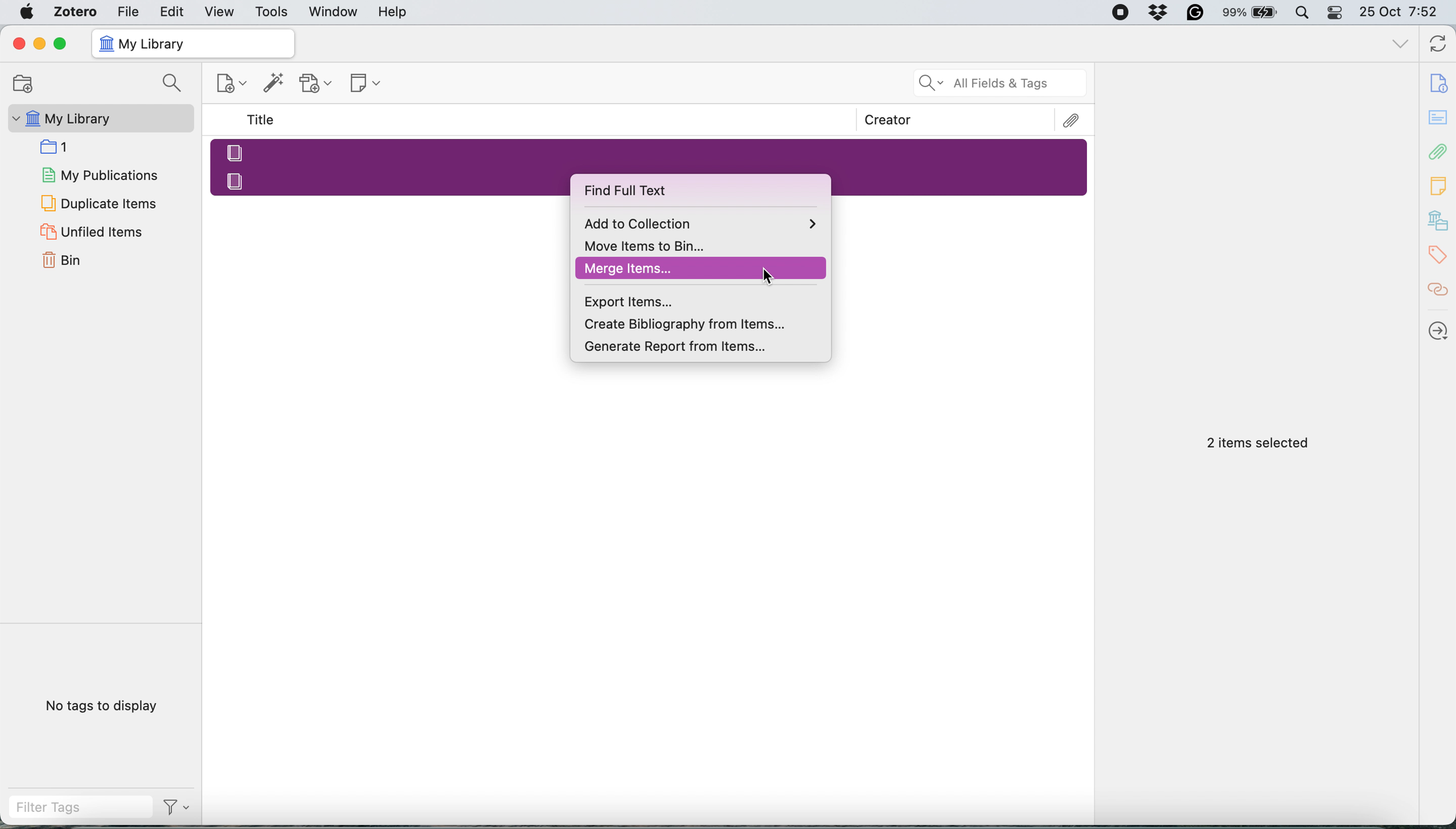  Describe the element at coordinates (702, 269) in the screenshot. I see `Merge Items... ` at that location.